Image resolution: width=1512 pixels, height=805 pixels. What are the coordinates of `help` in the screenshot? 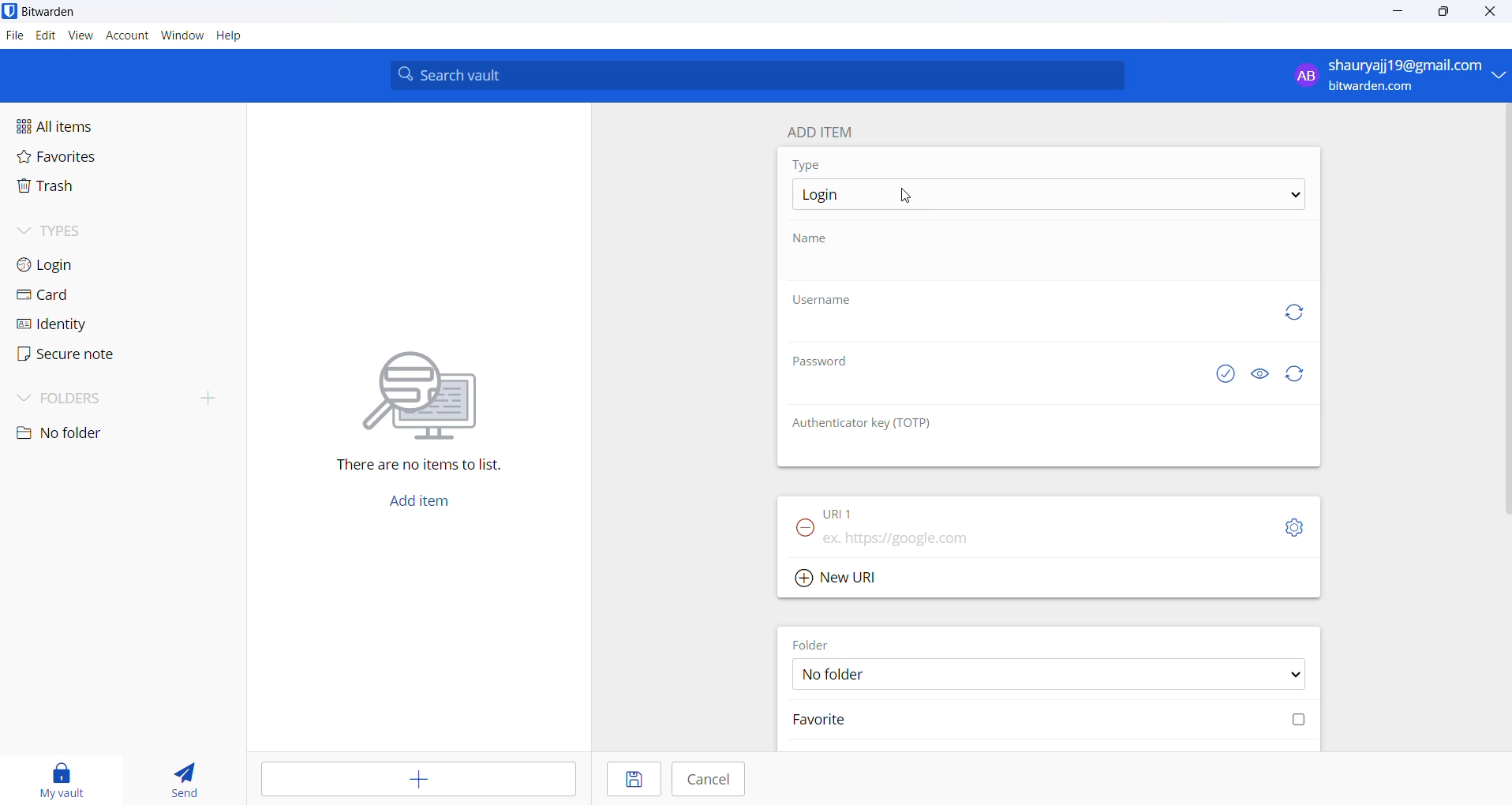 It's located at (230, 36).